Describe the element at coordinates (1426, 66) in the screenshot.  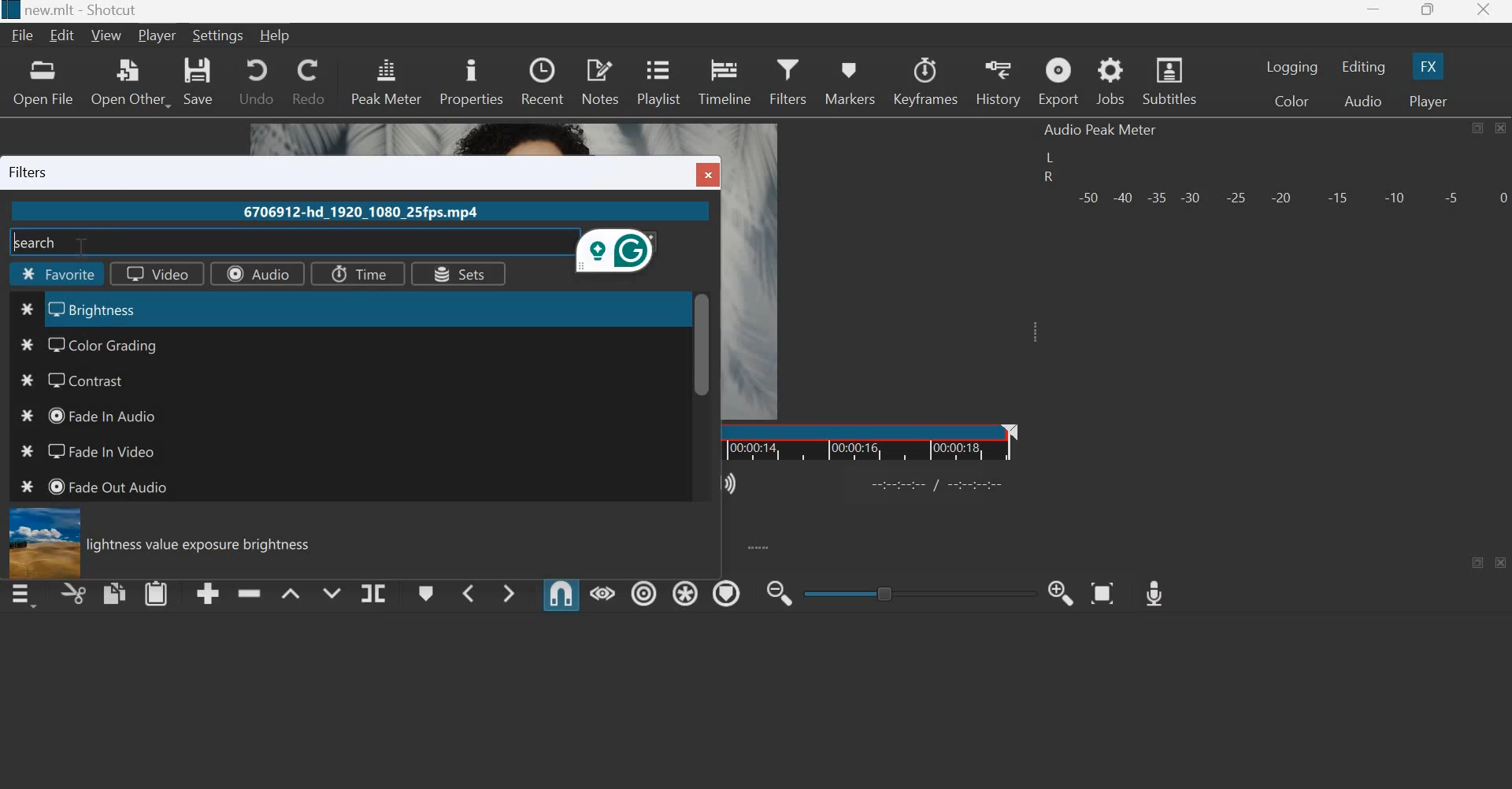
I see `FX` at that location.